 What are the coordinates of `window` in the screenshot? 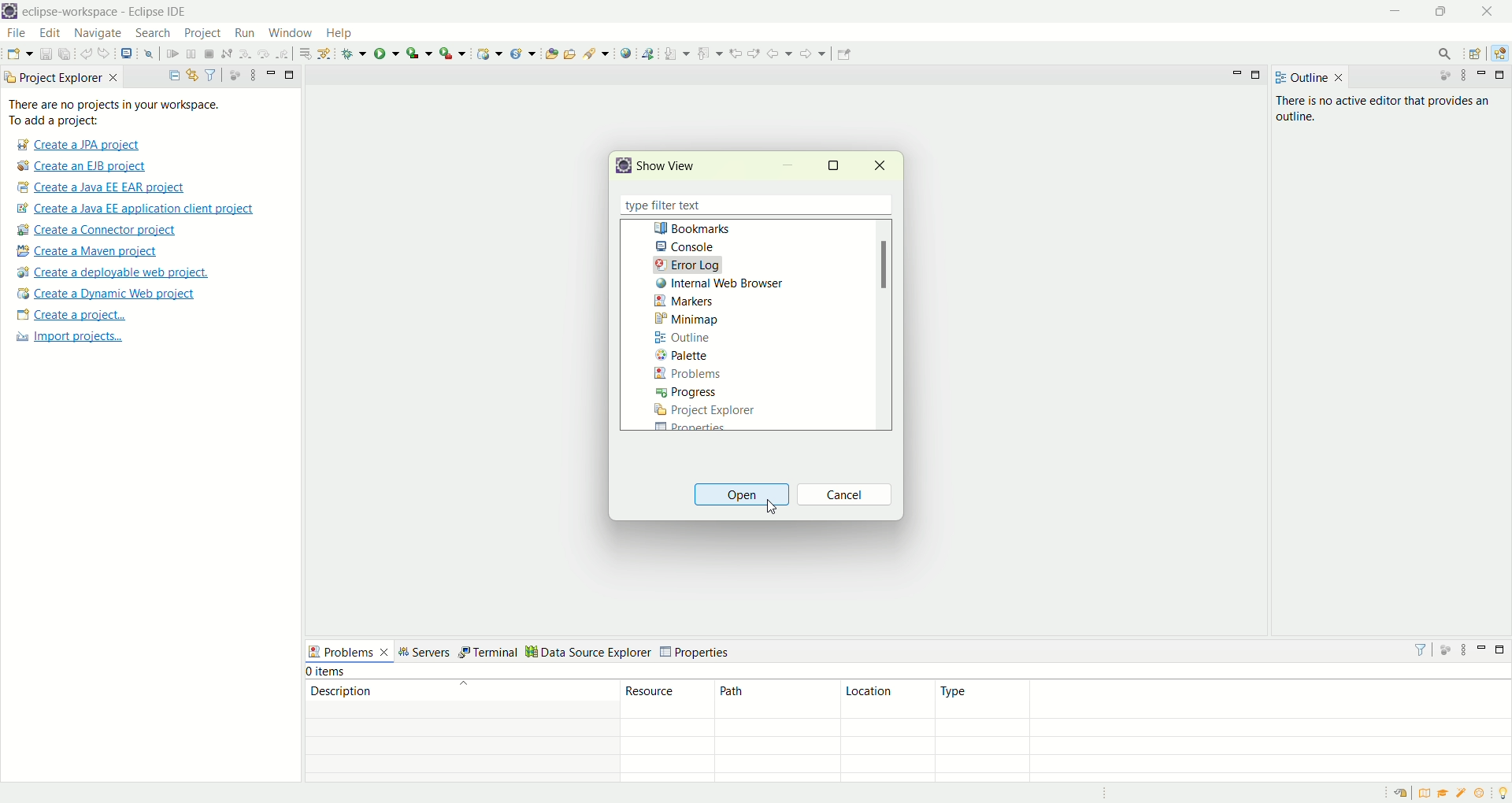 It's located at (292, 31).